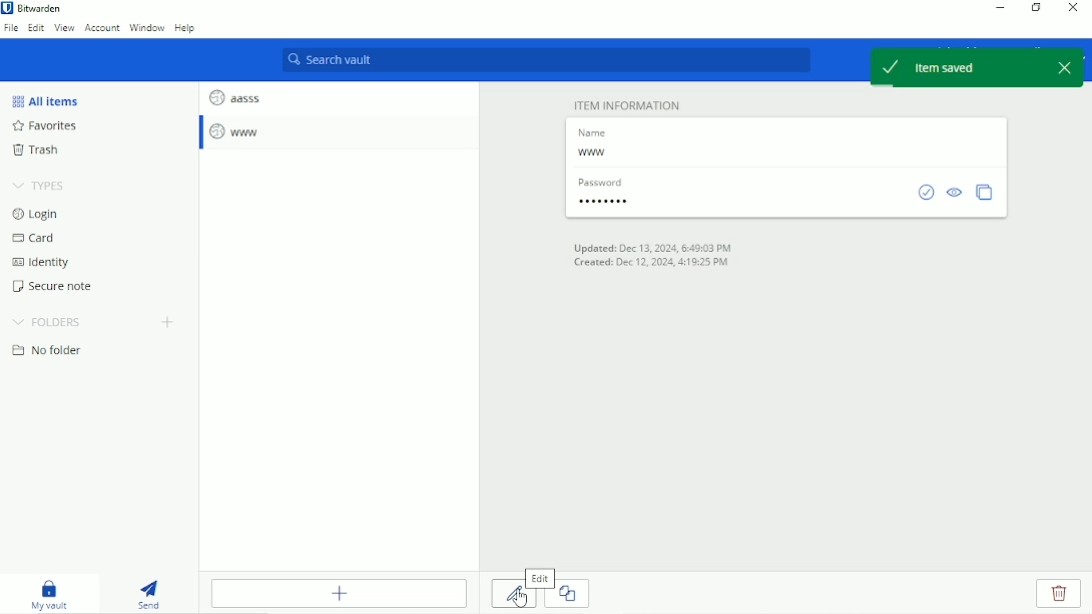 This screenshot has height=614, width=1092. What do you see at coordinates (36, 239) in the screenshot?
I see `Card` at bounding box center [36, 239].